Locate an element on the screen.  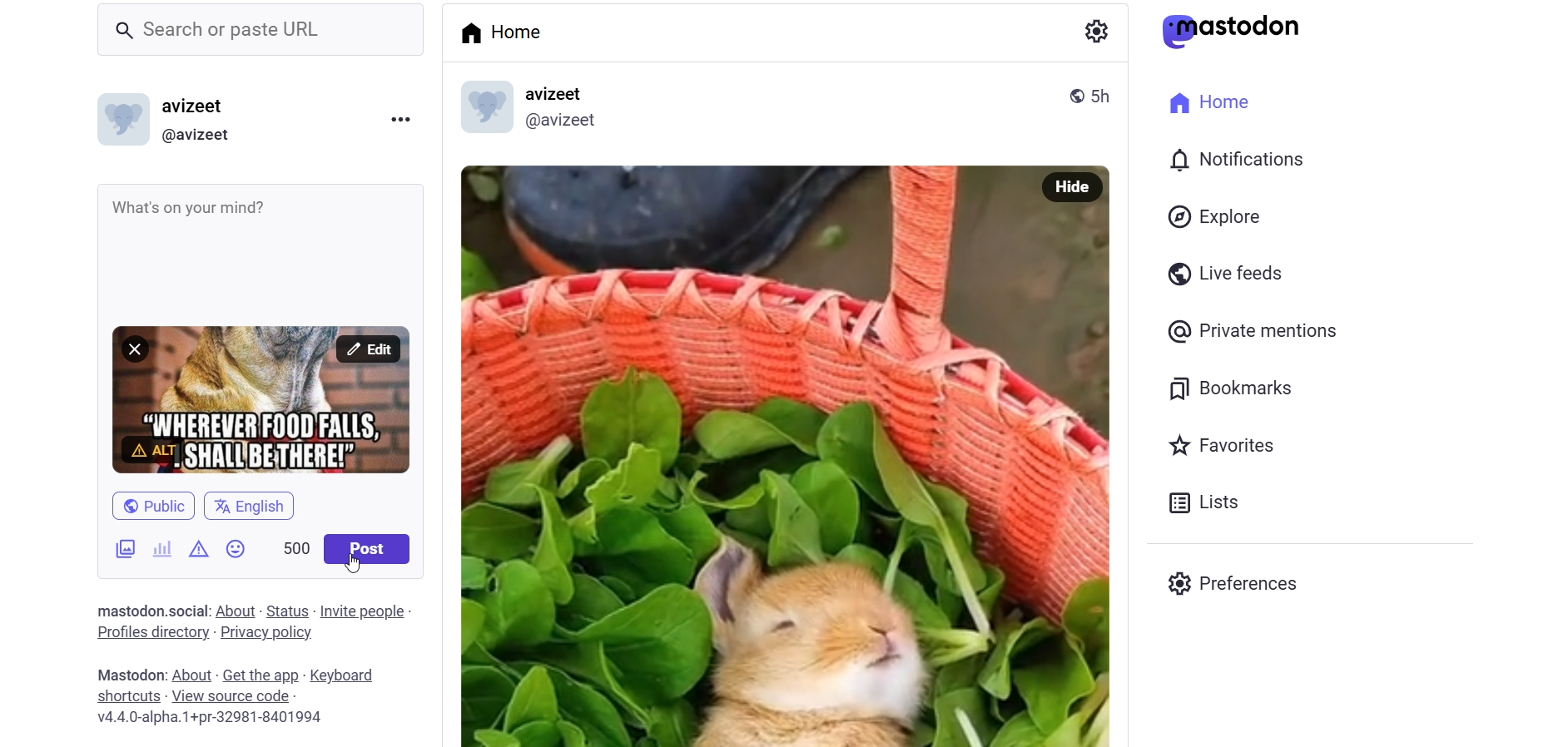
get the app is located at coordinates (261, 675).